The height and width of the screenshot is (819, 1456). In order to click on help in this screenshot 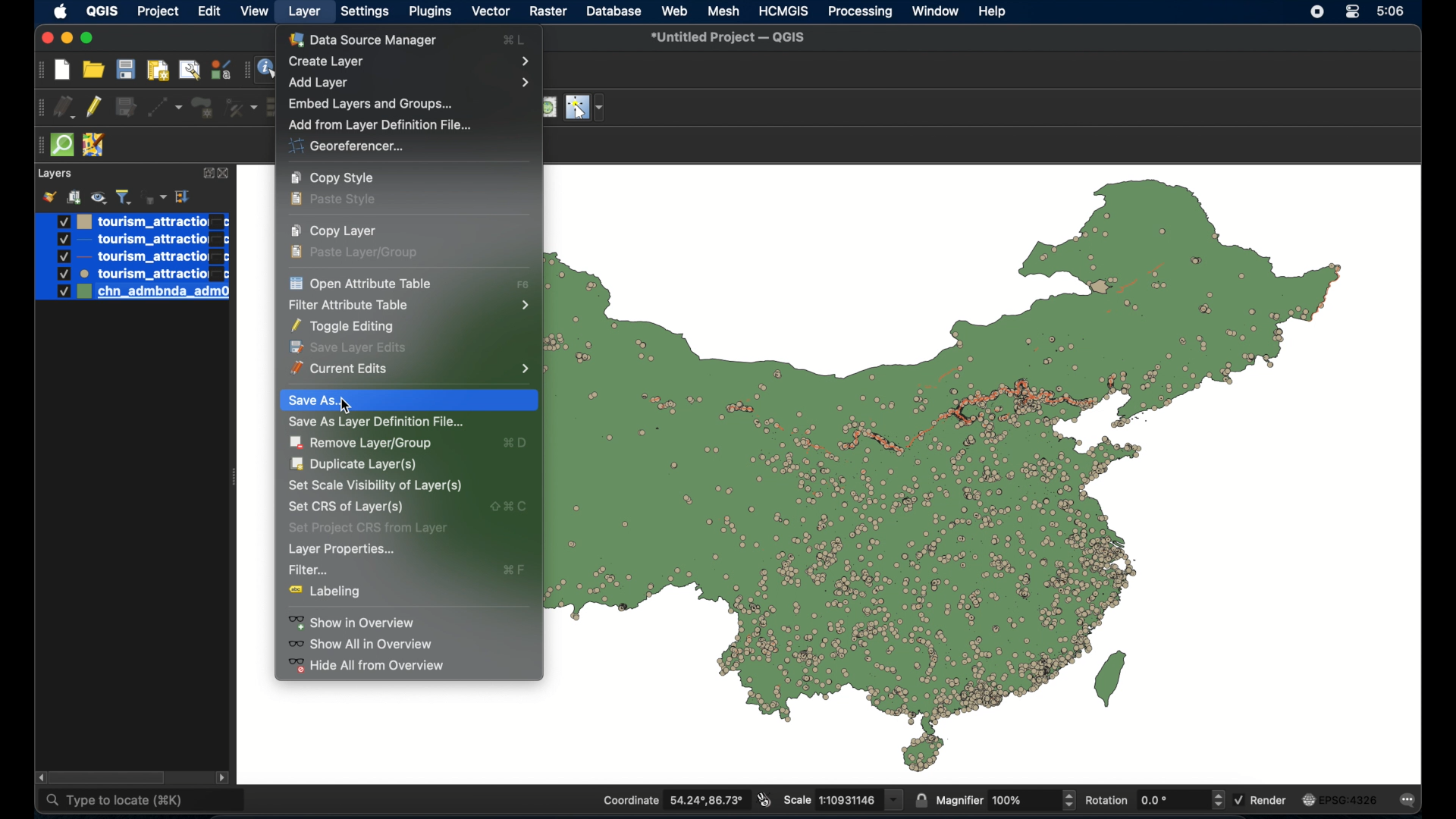, I will do `click(993, 11)`.